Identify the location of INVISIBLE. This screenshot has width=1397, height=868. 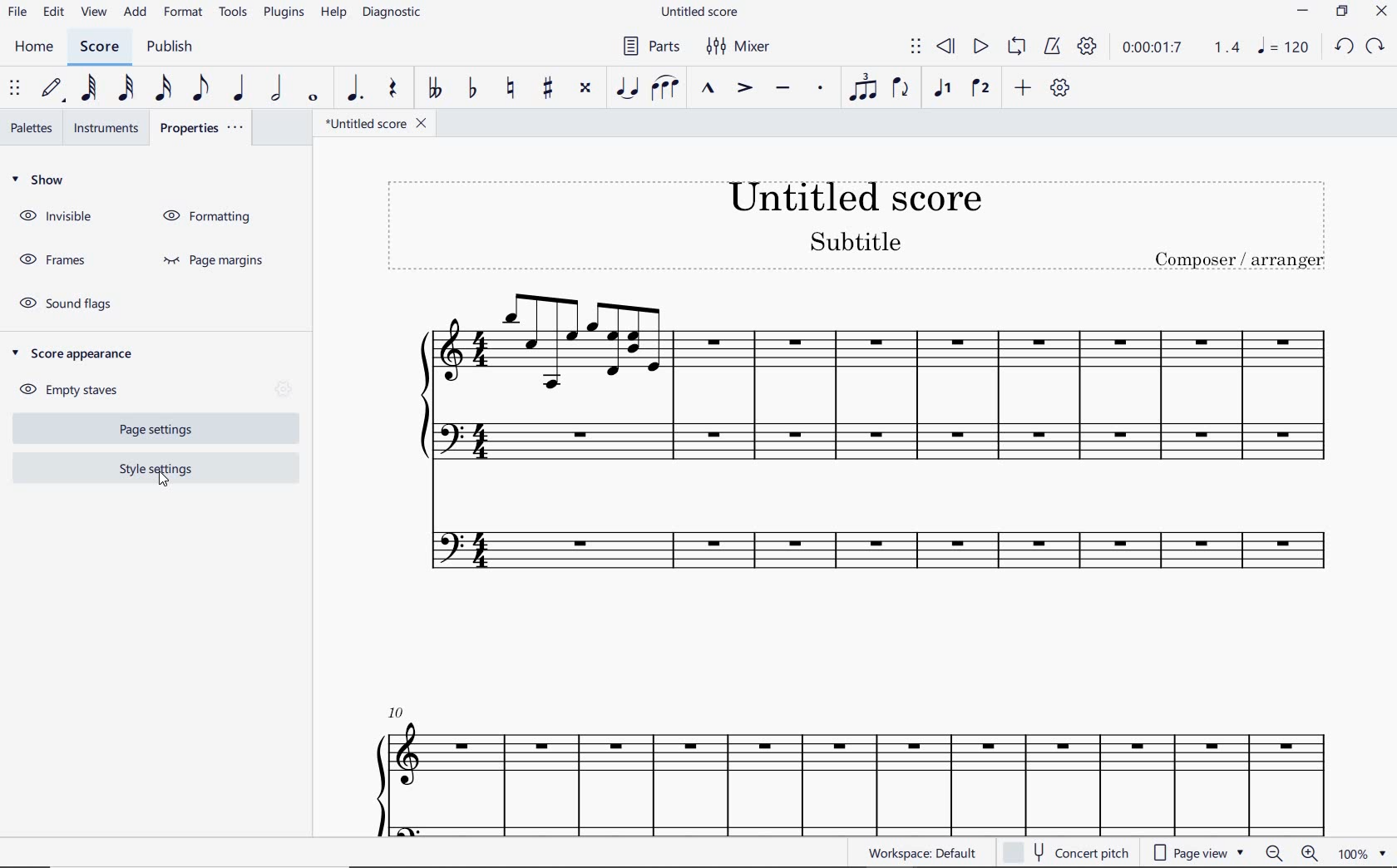
(58, 217).